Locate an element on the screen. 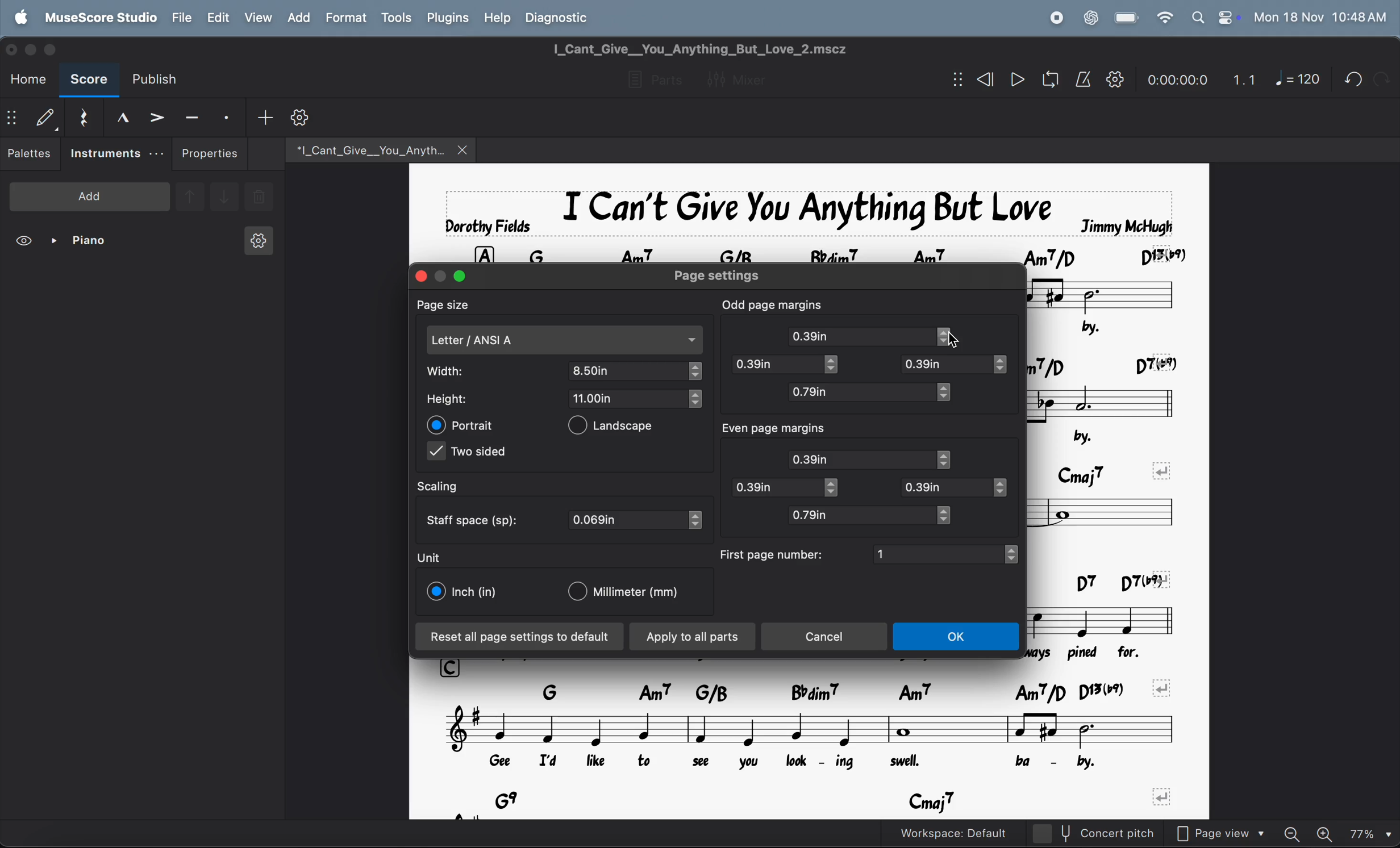 The image size is (1400, 848). control center is located at coordinates (1226, 17).